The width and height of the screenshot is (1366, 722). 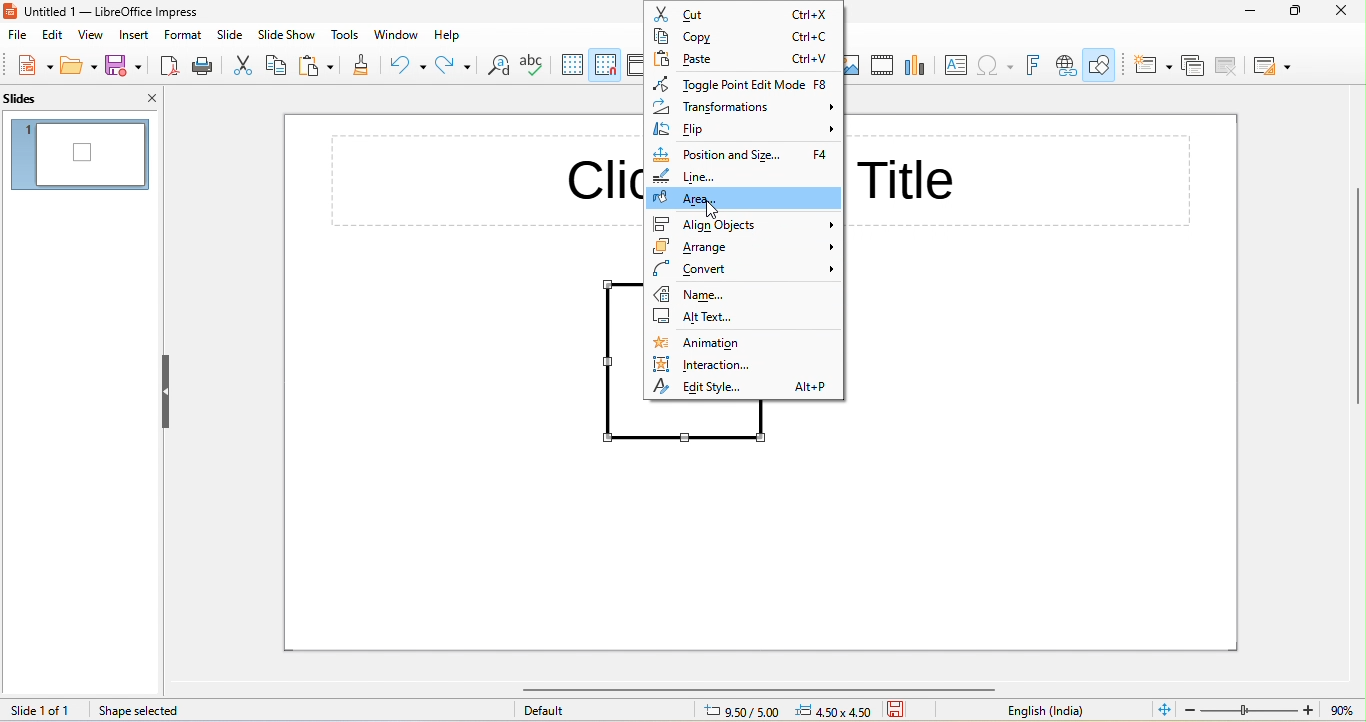 What do you see at coordinates (133, 35) in the screenshot?
I see `insert` at bounding box center [133, 35].